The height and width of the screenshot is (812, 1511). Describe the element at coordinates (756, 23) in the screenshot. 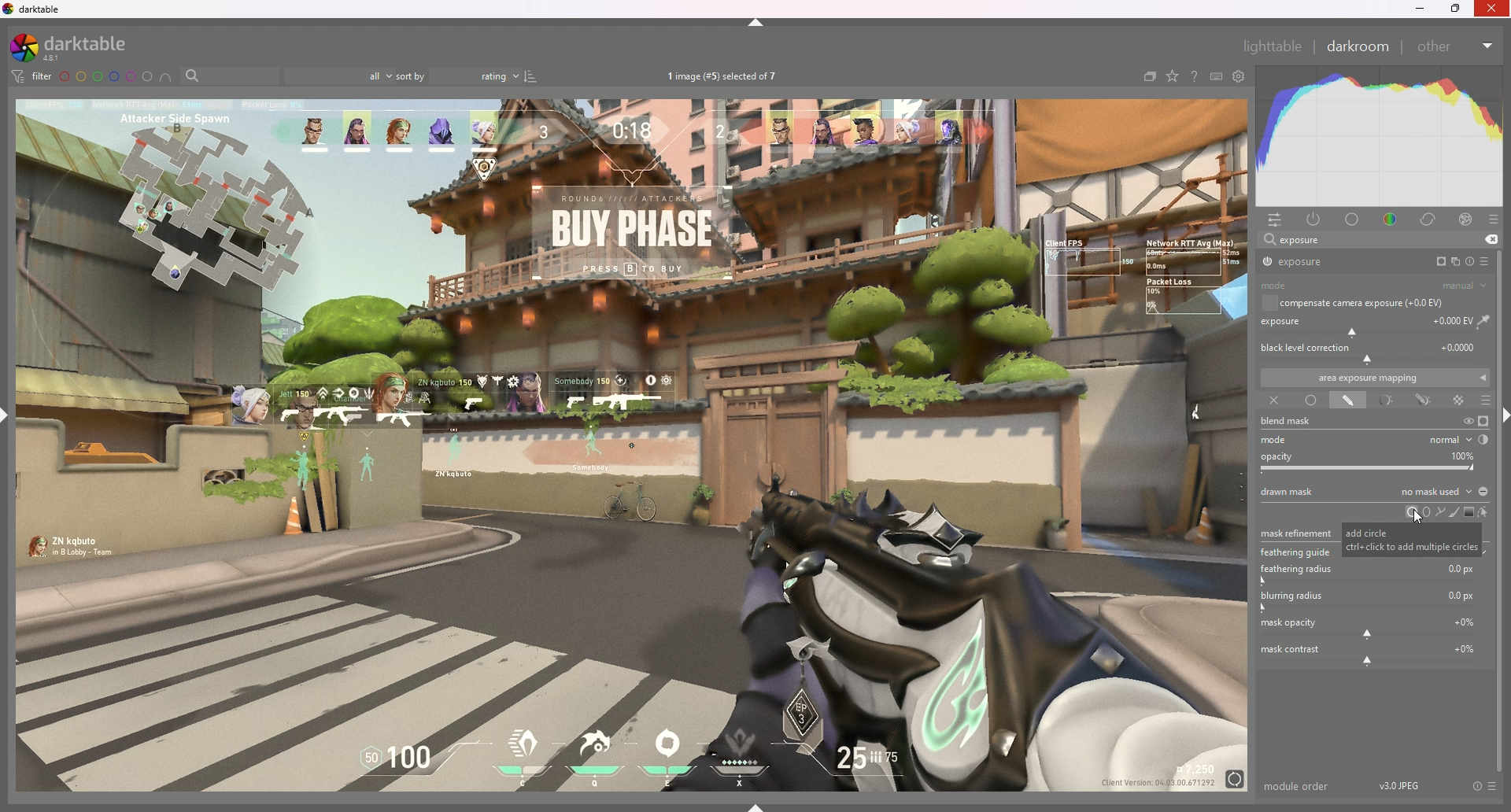

I see `hide` at that location.